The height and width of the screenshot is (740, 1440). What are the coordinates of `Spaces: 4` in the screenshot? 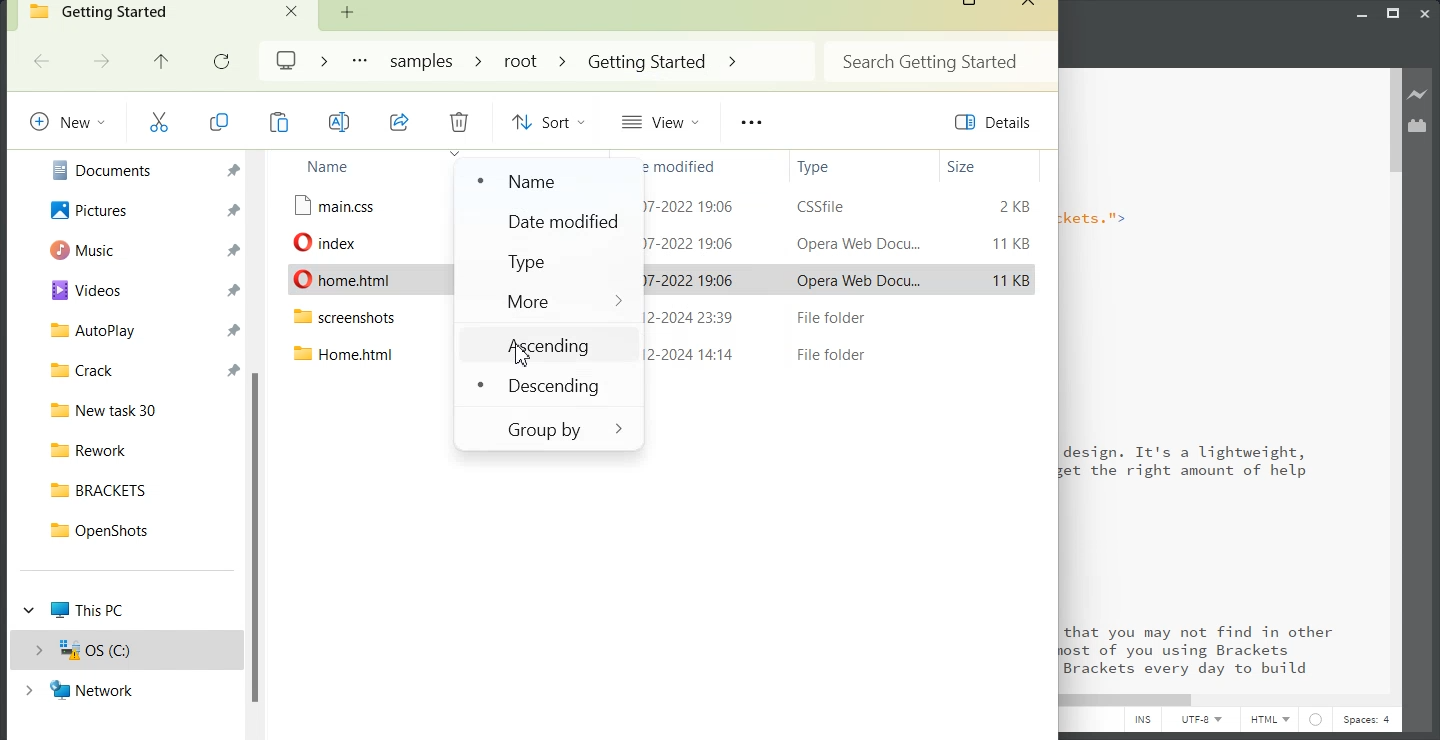 It's located at (1369, 722).